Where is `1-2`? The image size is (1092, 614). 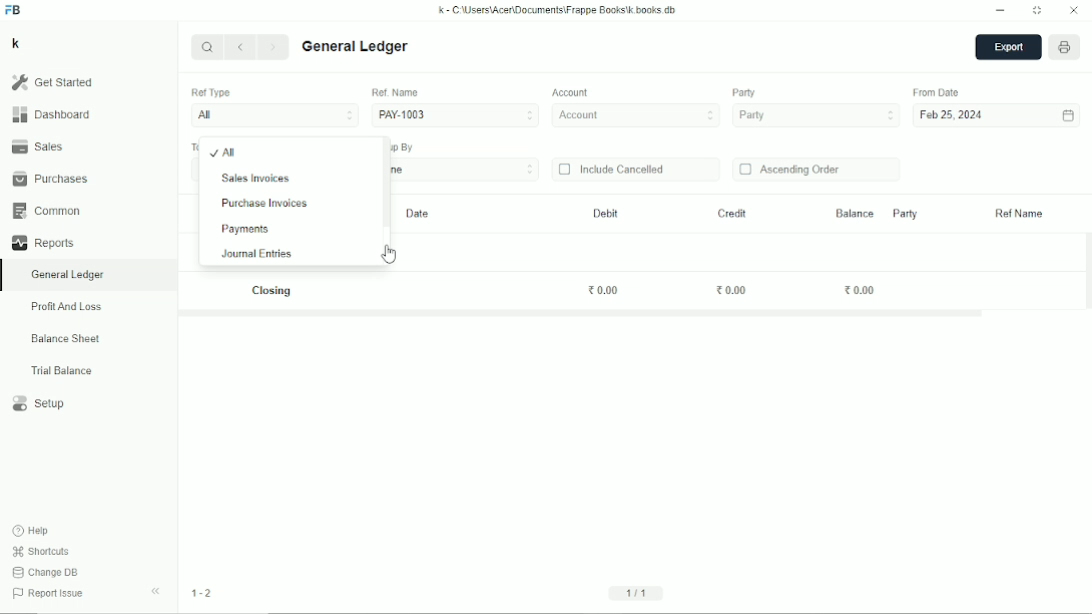 1-2 is located at coordinates (202, 593).